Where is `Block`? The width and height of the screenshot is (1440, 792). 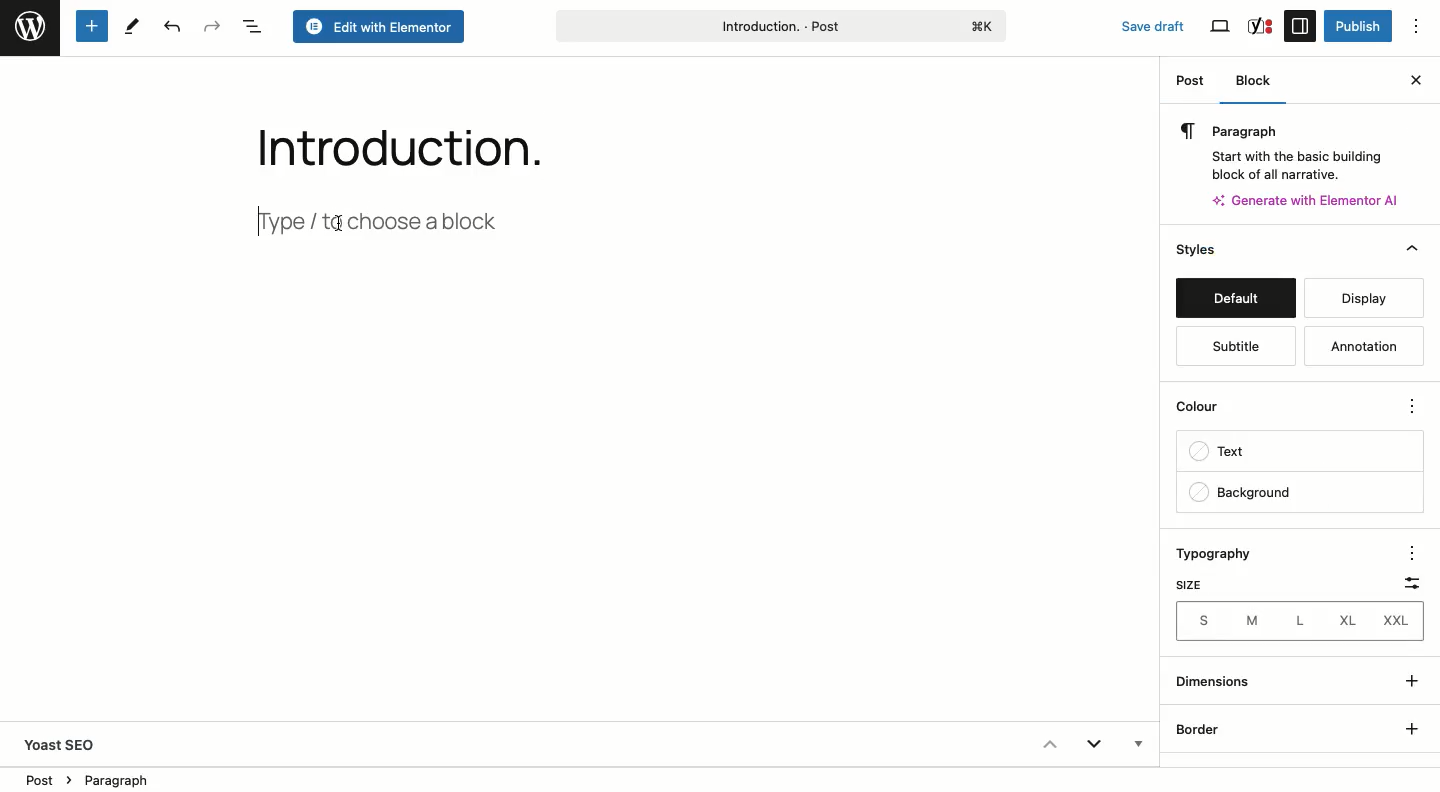 Block is located at coordinates (1258, 83).